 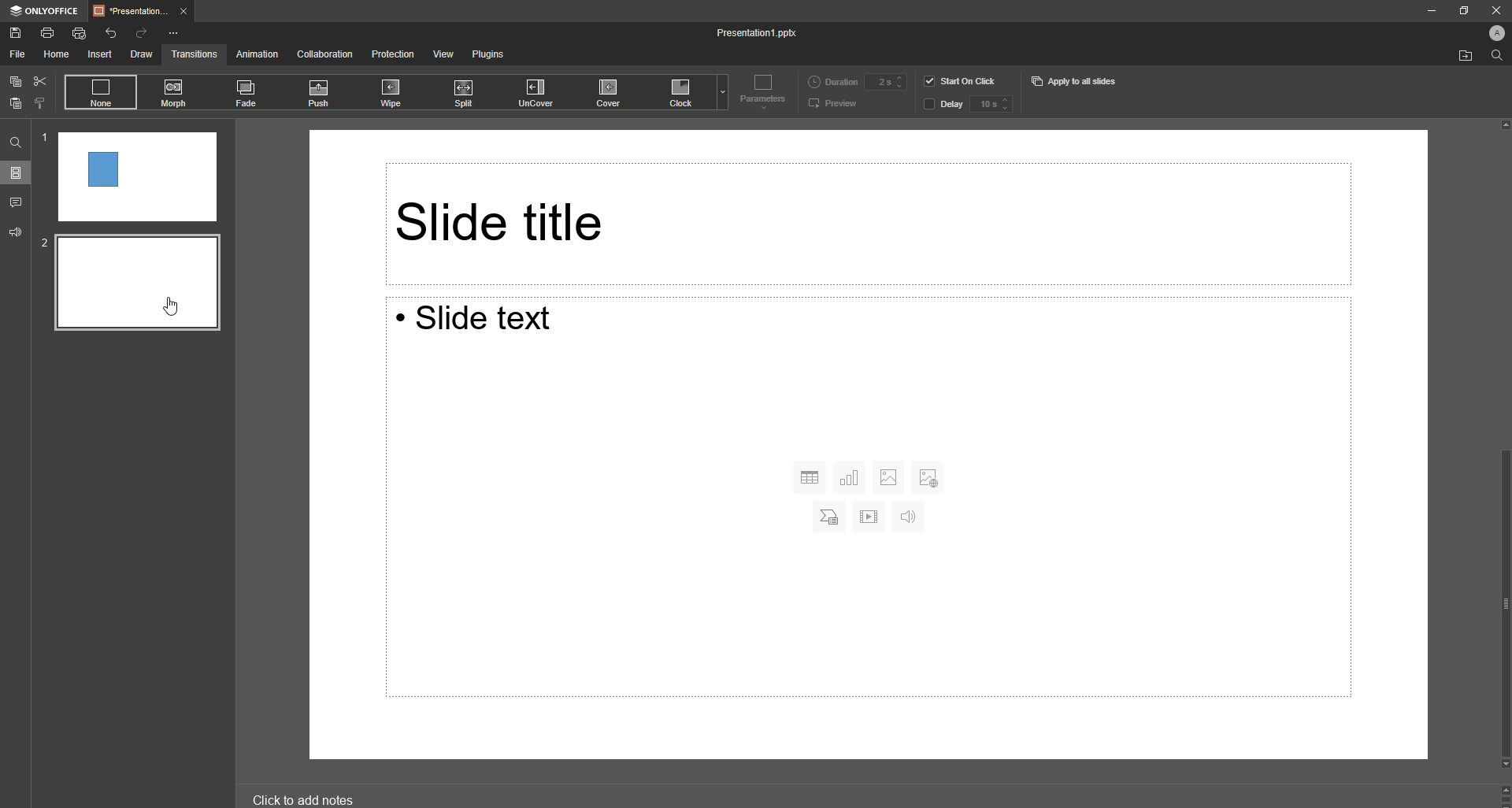 What do you see at coordinates (393, 54) in the screenshot?
I see `Protection` at bounding box center [393, 54].